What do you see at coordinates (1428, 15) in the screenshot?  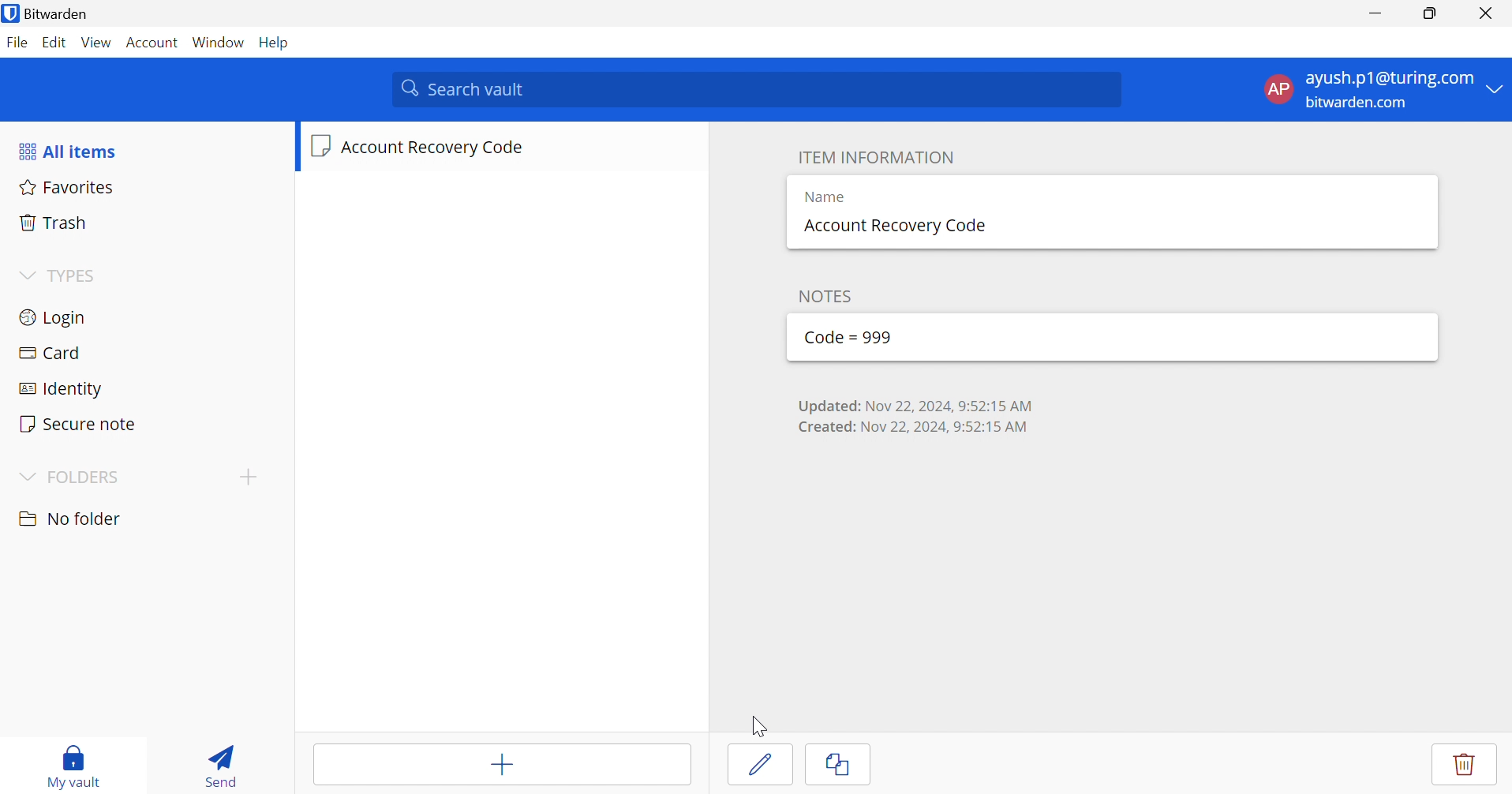 I see `Restore Down` at bounding box center [1428, 15].